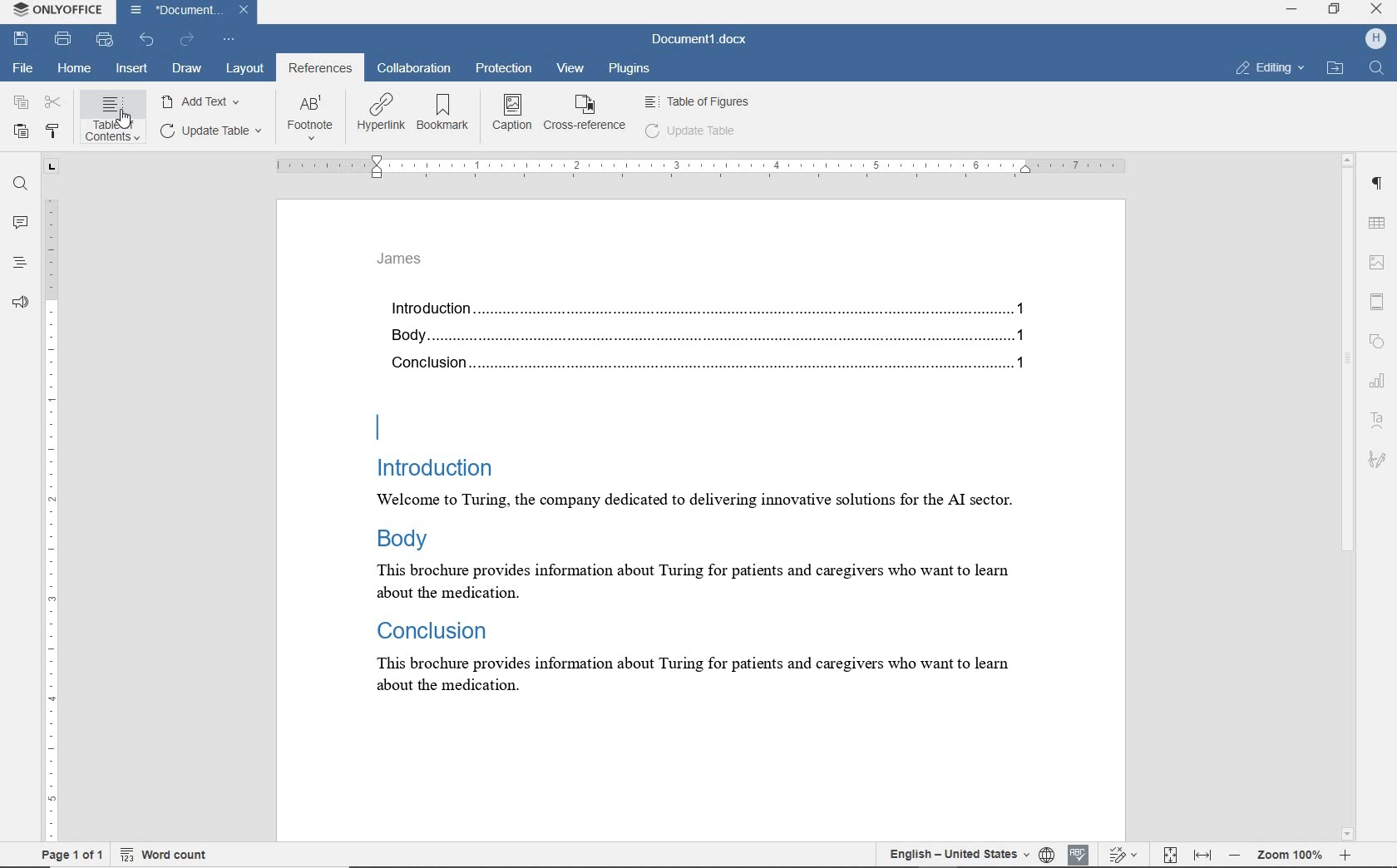  What do you see at coordinates (131, 68) in the screenshot?
I see `insert` at bounding box center [131, 68].